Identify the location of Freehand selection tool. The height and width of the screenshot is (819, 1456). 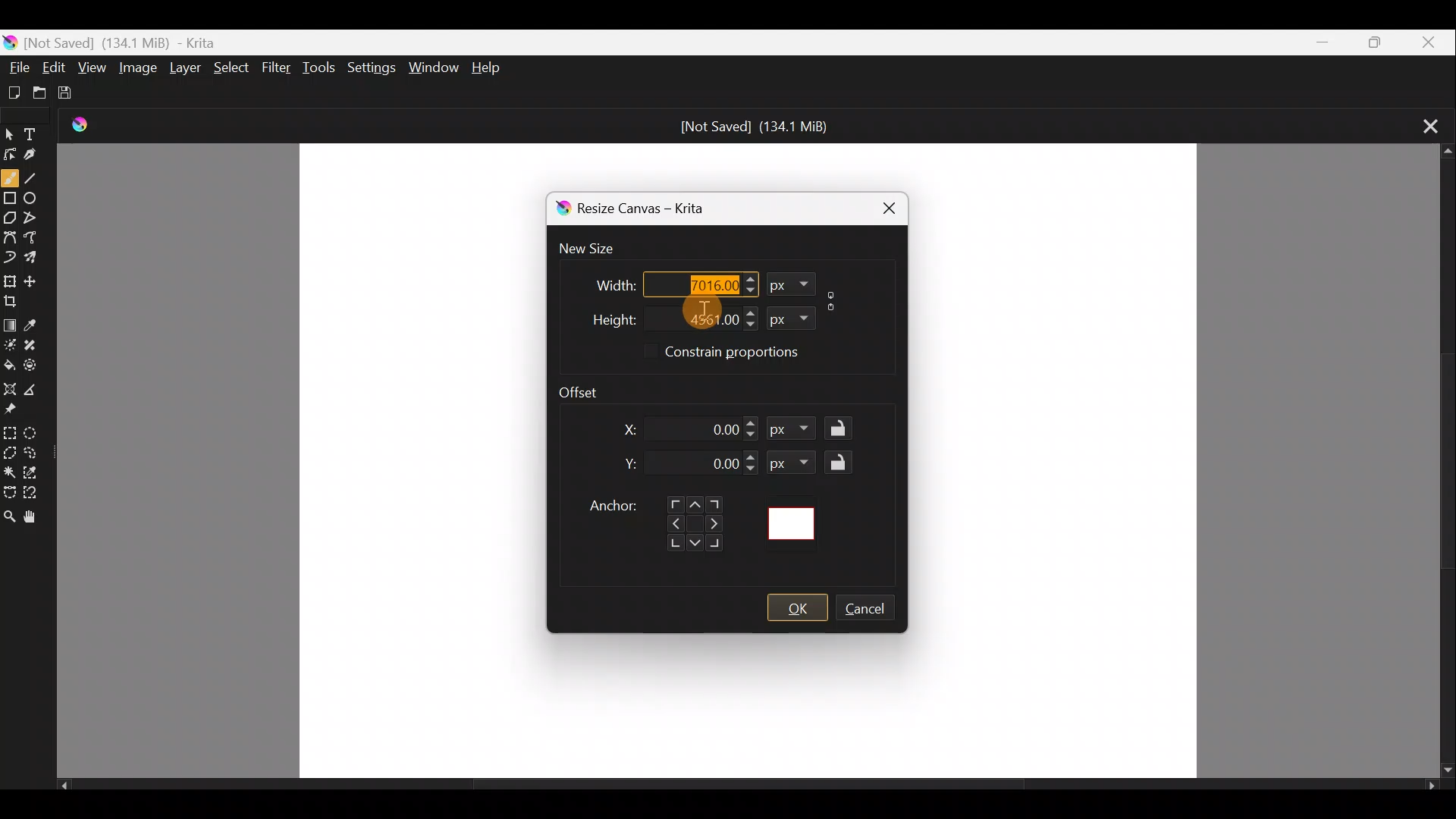
(36, 450).